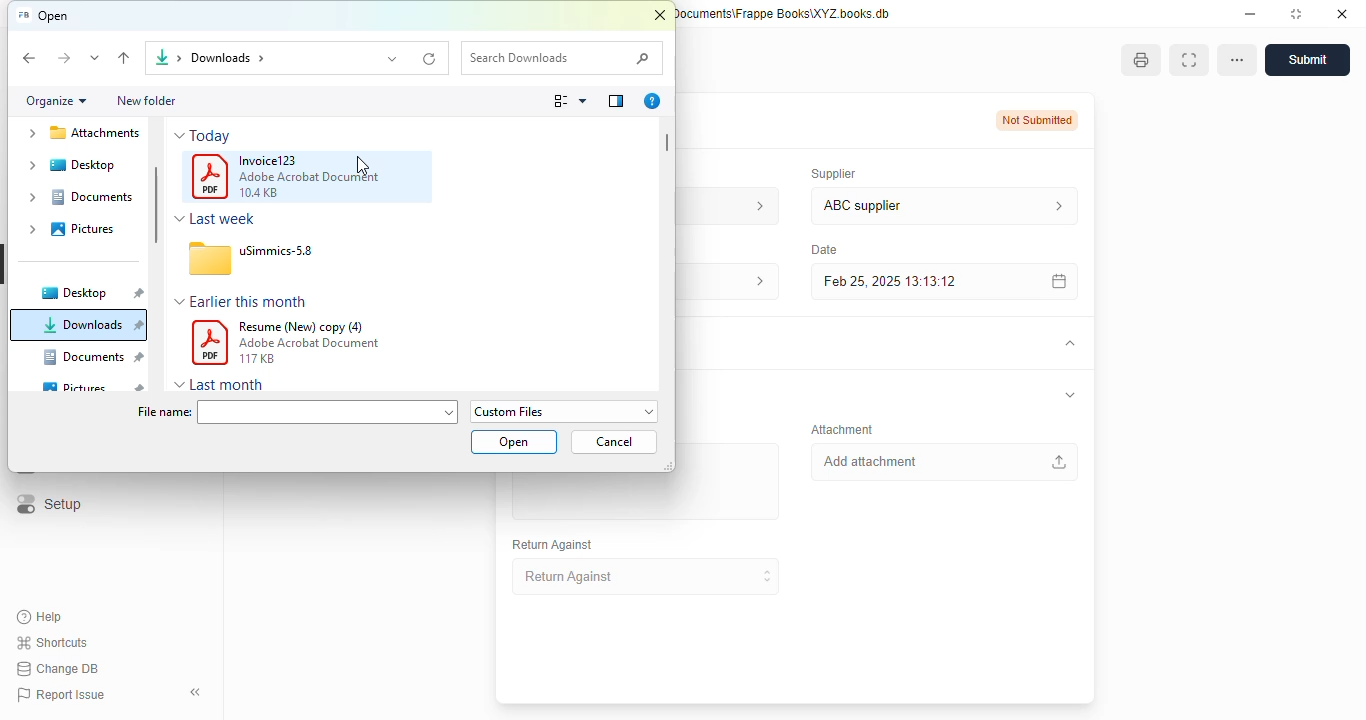 The width and height of the screenshot is (1366, 720). What do you see at coordinates (57, 101) in the screenshot?
I see `organize ` at bounding box center [57, 101].